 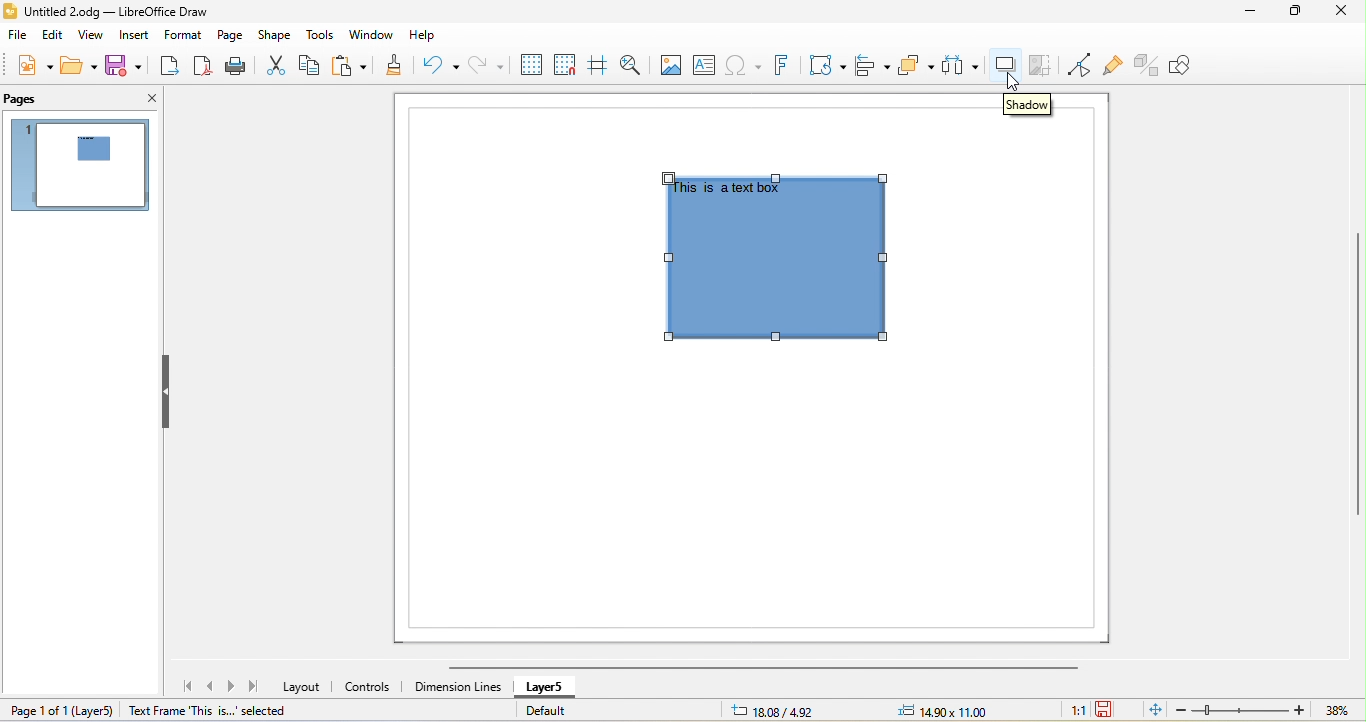 I want to click on previous page, so click(x=214, y=687).